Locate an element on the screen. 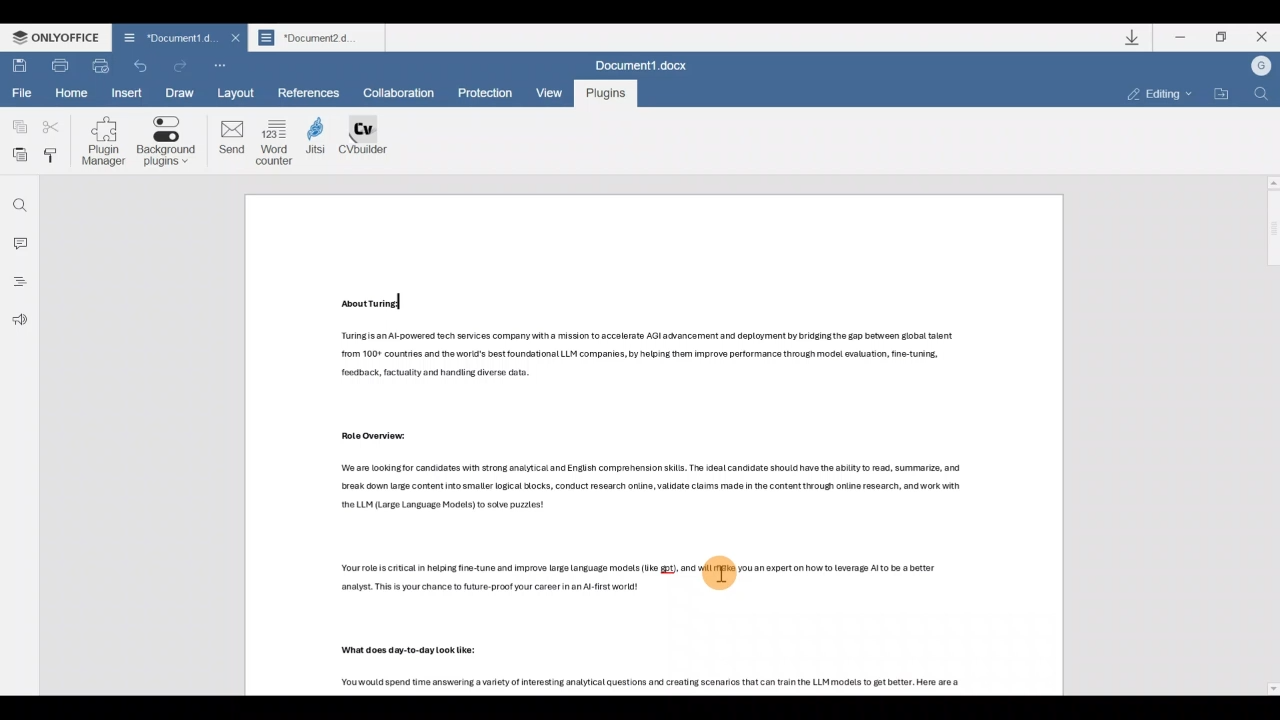  Insert is located at coordinates (124, 93).